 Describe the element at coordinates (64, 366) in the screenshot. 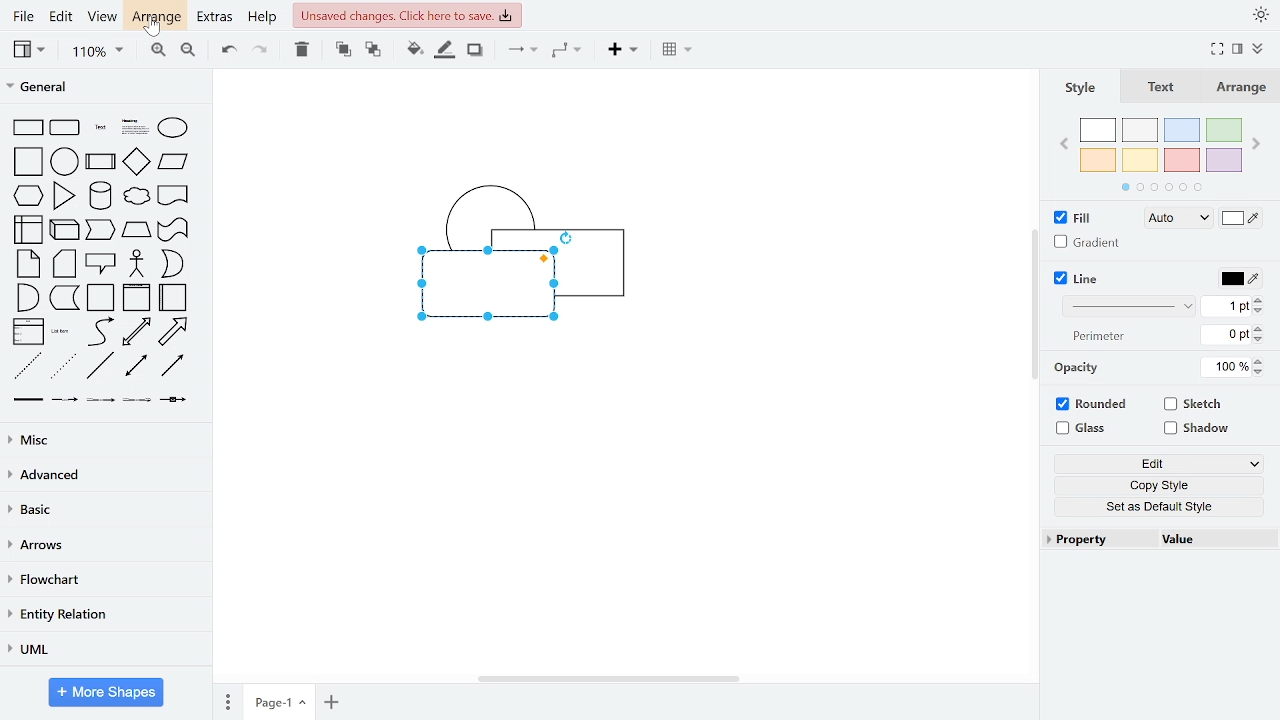

I see `dotted line` at that location.